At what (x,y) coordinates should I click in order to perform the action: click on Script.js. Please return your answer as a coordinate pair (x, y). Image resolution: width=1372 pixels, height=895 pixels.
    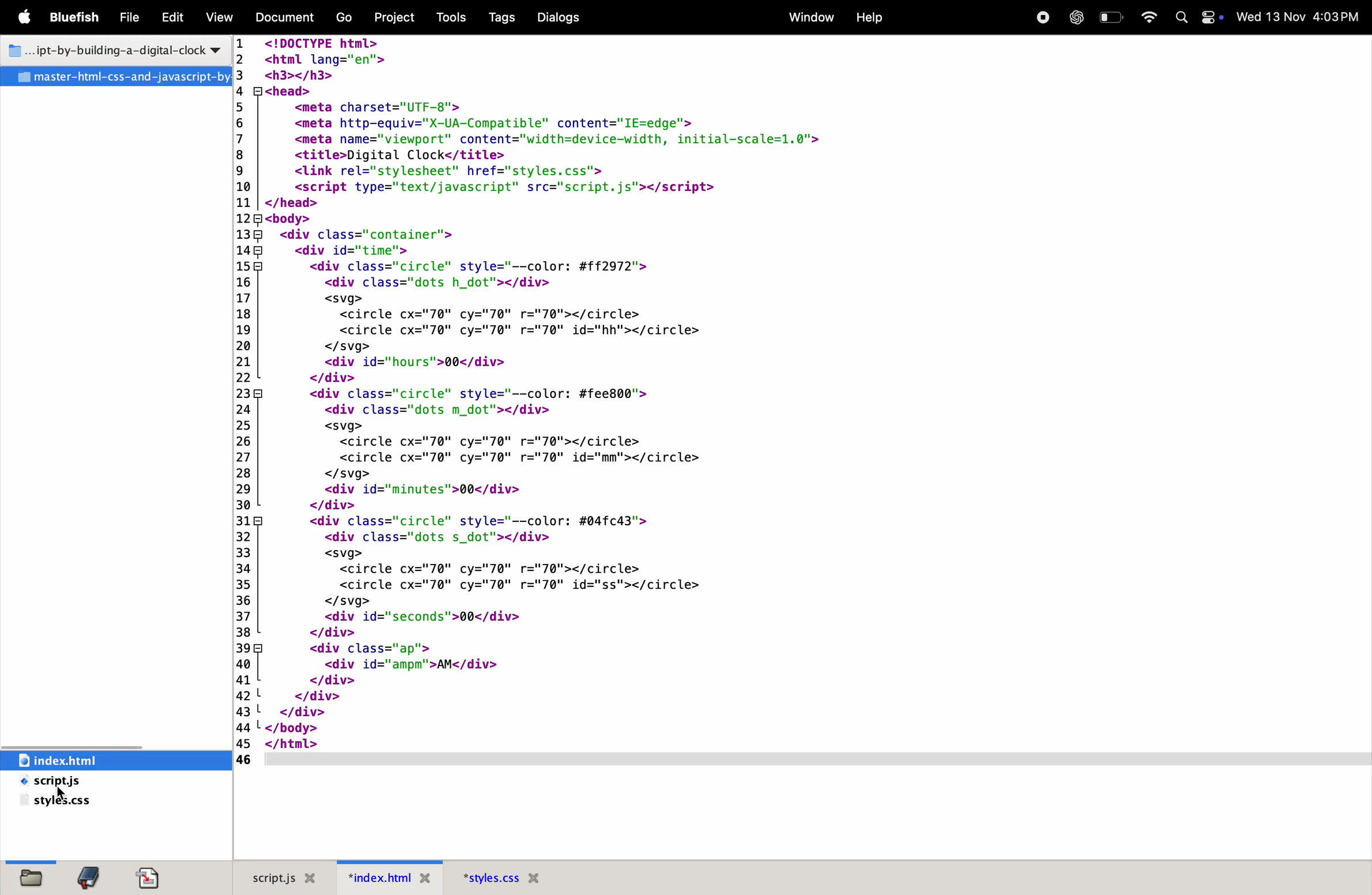
    Looking at the image, I should click on (285, 878).